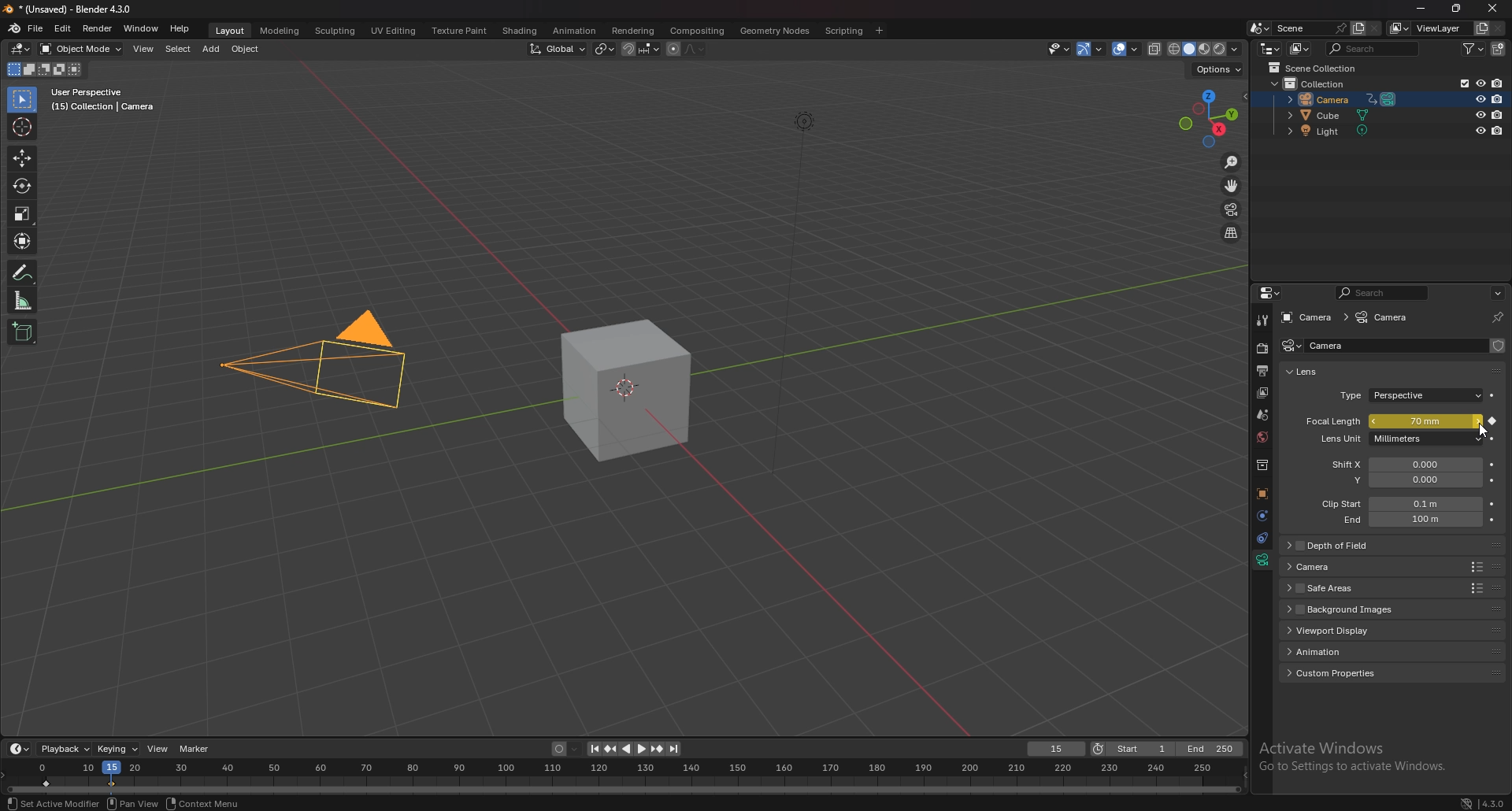 This screenshot has width=1512, height=811. Describe the element at coordinates (1212, 749) in the screenshot. I see `end` at that location.